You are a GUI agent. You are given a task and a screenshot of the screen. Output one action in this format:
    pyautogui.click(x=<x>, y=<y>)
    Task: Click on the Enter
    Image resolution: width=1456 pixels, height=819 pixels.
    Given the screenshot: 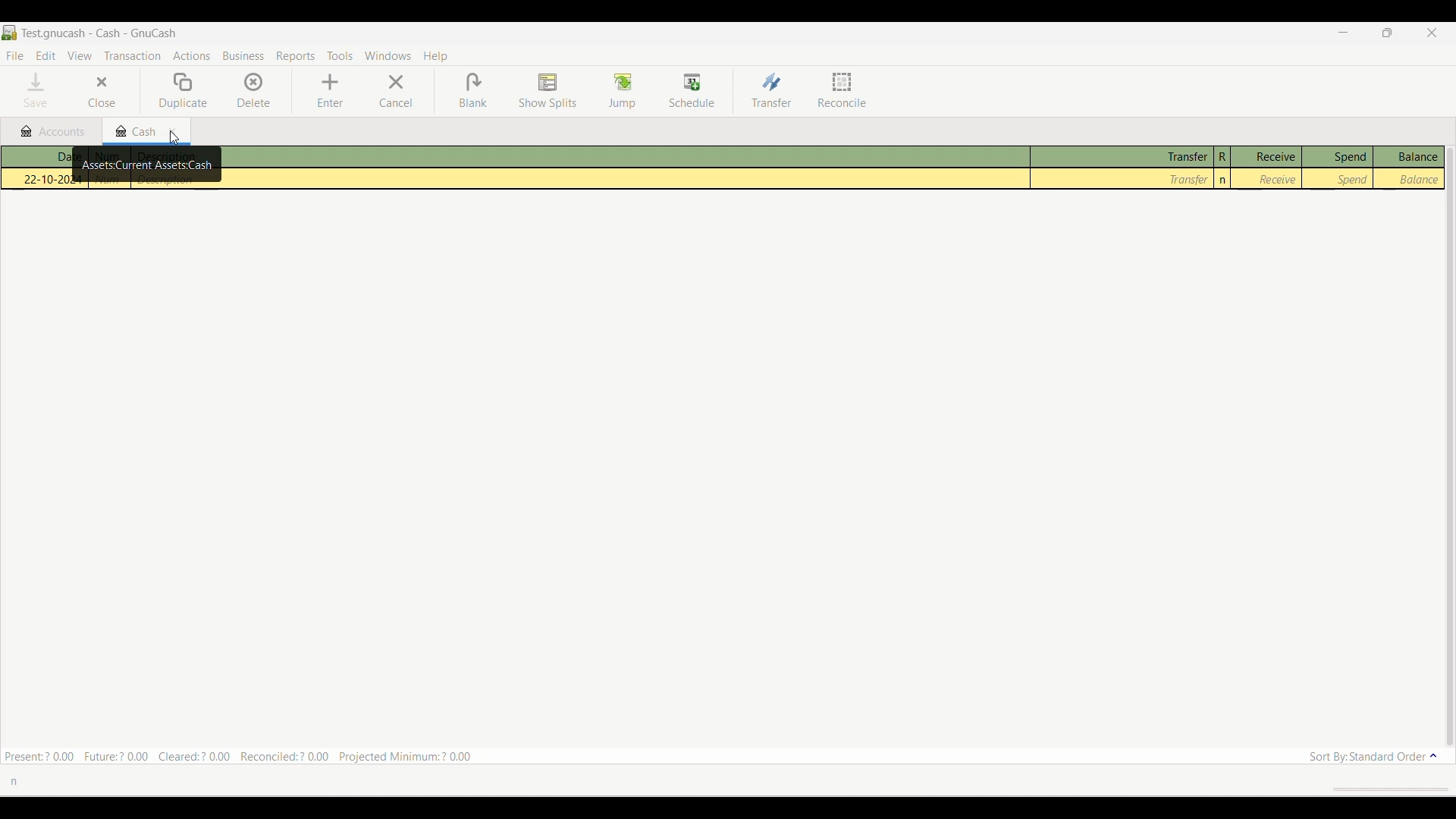 What is the action you would take?
    pyautogui.click(x=330, y=90)
    